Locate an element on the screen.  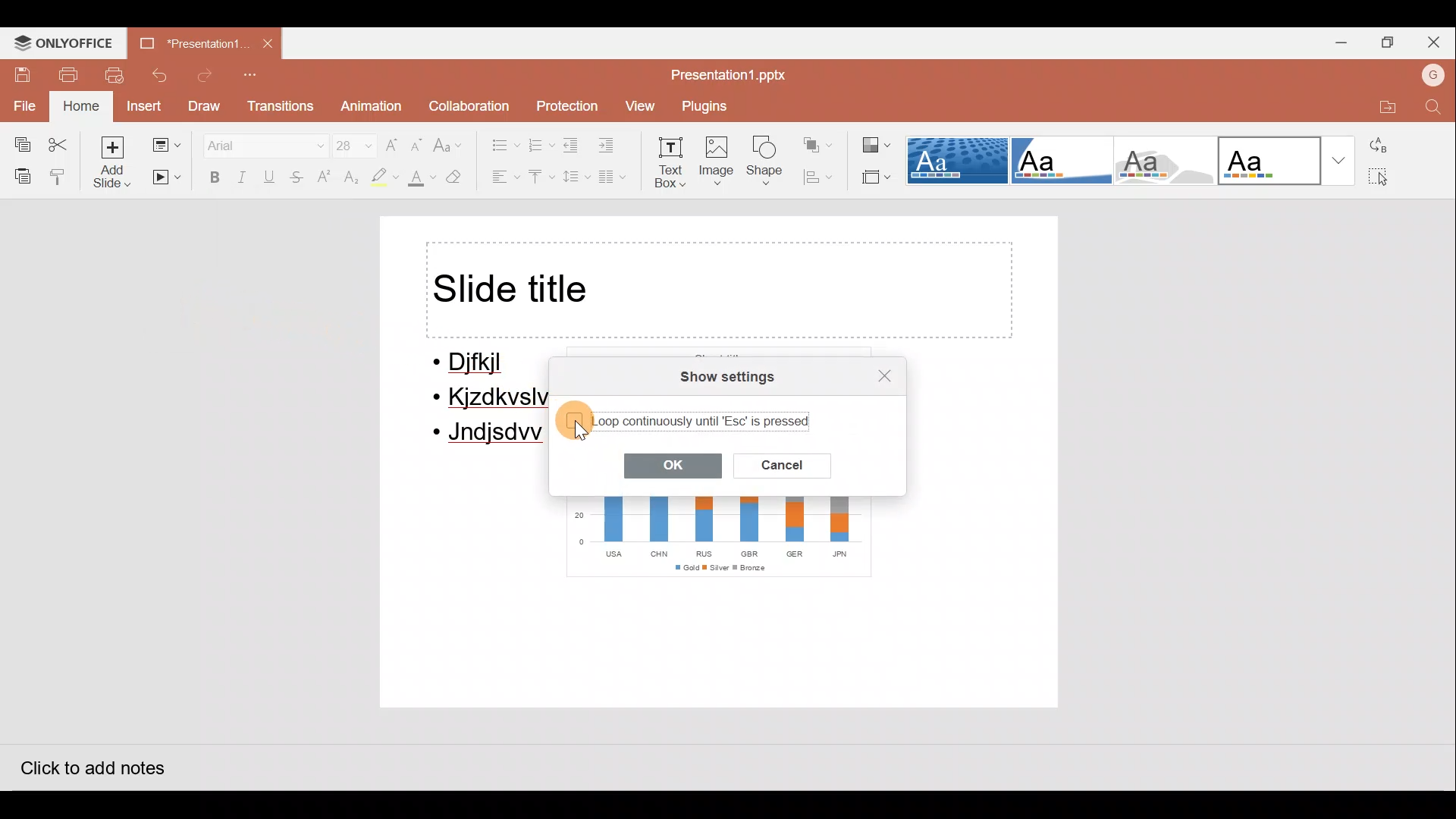
Increase font size is located at coordinates (391, 145).